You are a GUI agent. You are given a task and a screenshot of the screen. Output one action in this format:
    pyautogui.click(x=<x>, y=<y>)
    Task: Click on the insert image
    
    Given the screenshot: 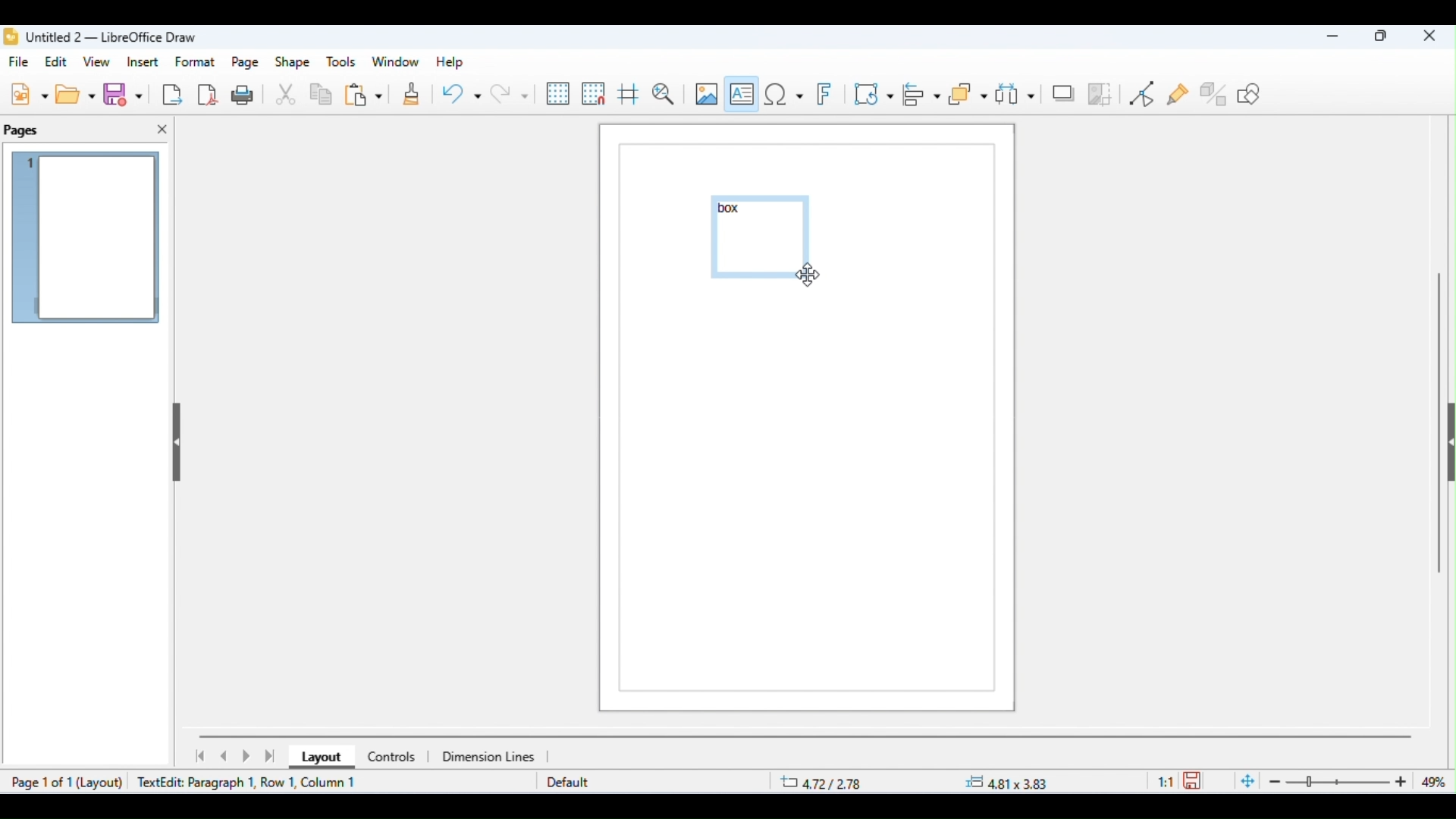 What is the action you would take?
    pyautogui.click(x=705, y=93)
    